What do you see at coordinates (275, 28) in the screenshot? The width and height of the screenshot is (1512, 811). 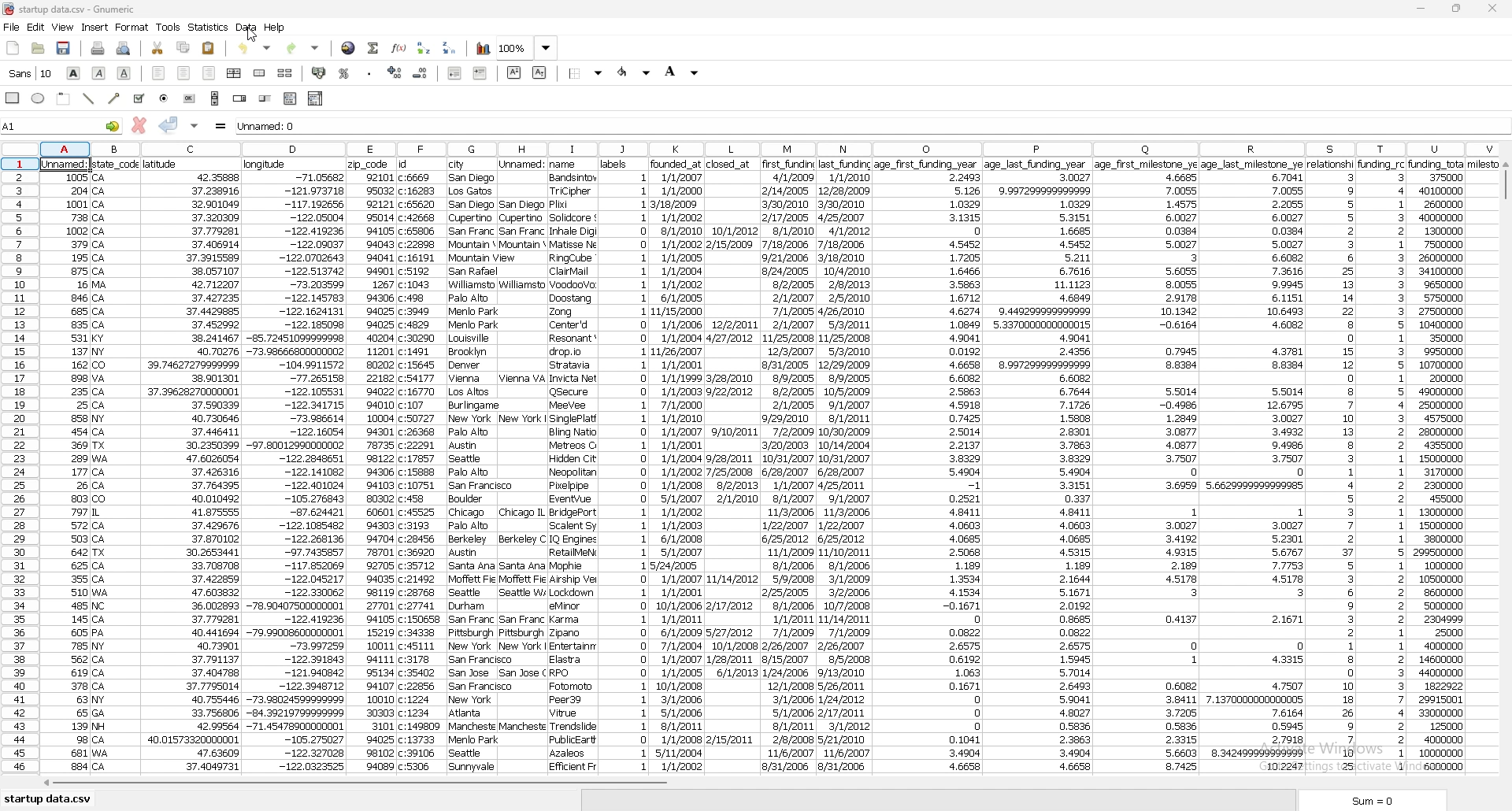 I see `help` at bounding box center [275, 28].